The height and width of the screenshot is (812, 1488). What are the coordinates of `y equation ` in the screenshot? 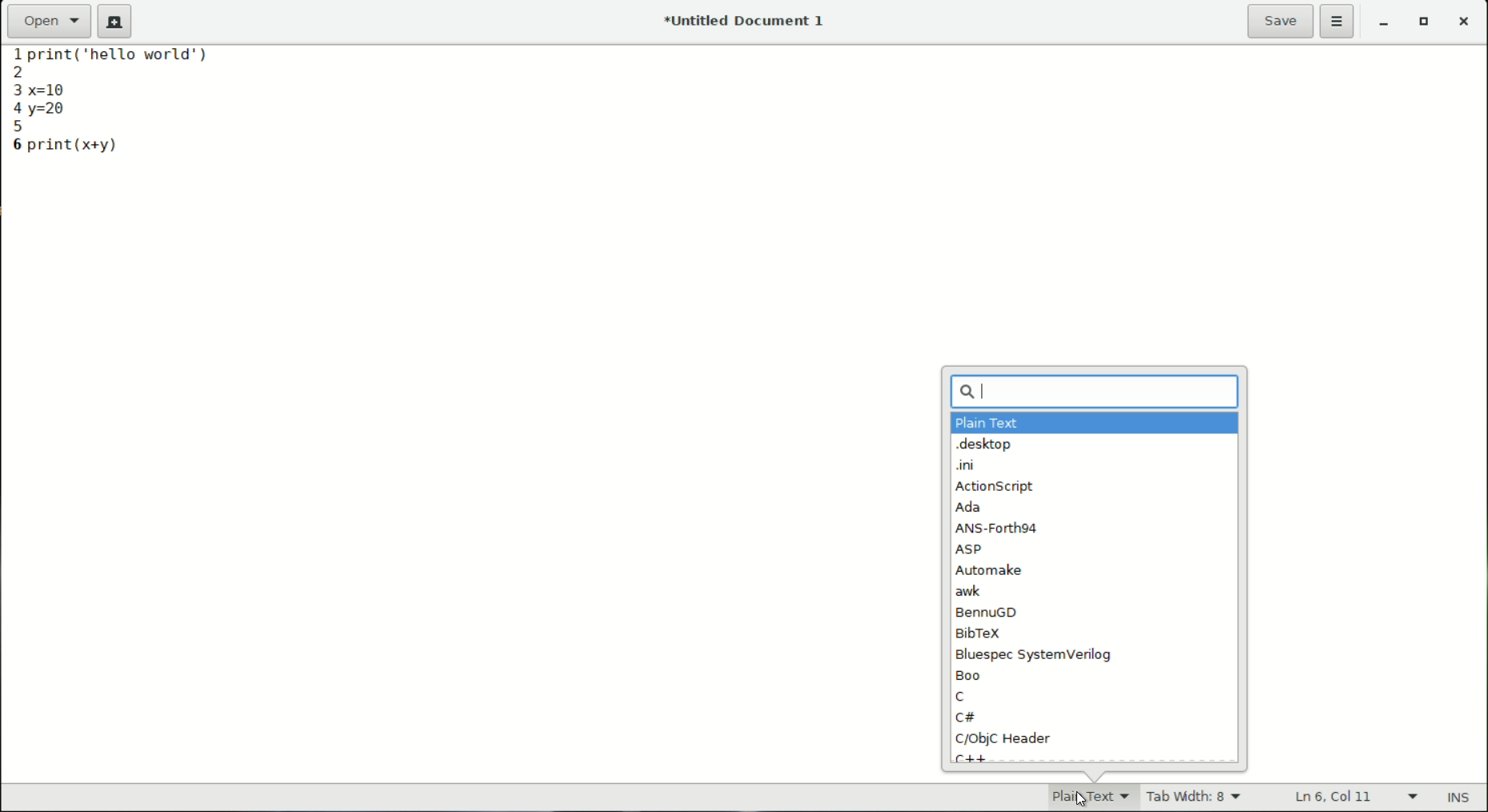 It's located at (51, 110).